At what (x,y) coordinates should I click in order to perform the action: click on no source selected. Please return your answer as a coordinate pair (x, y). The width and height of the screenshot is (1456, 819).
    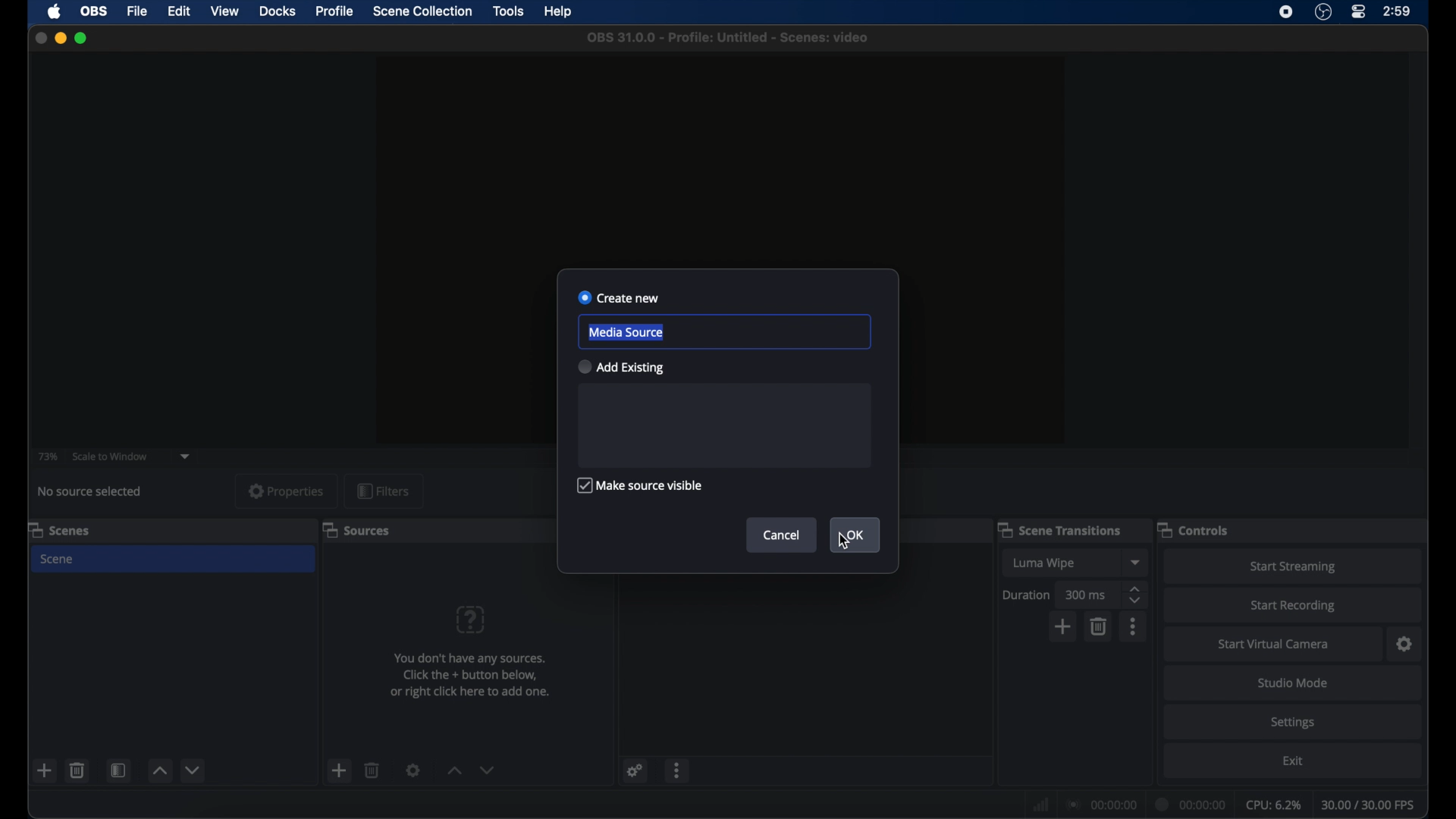
    Looking at the image, I should click on (93, 491).